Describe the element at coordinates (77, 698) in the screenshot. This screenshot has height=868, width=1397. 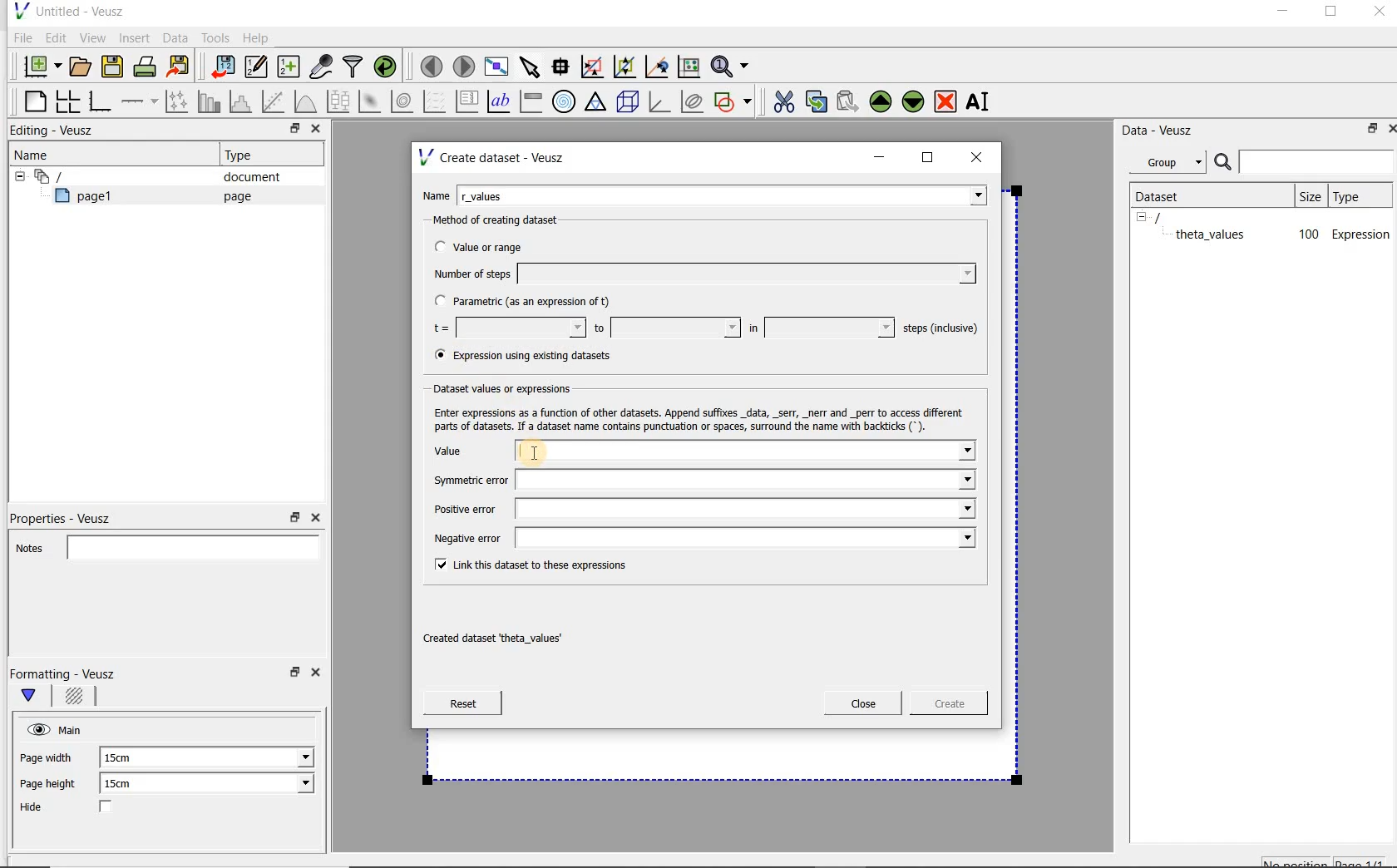
I see `Background` at that location.